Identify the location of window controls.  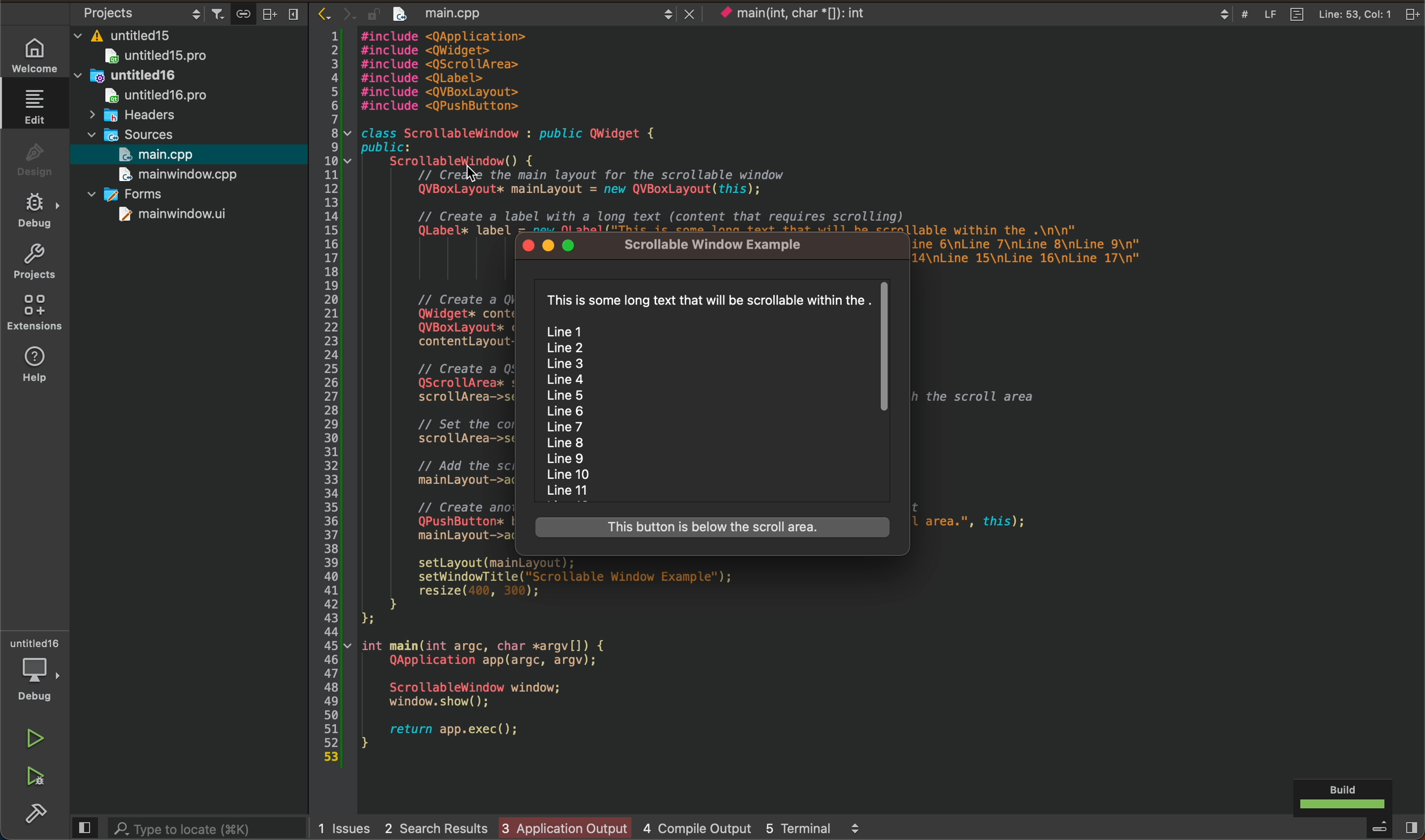
(554, 247).